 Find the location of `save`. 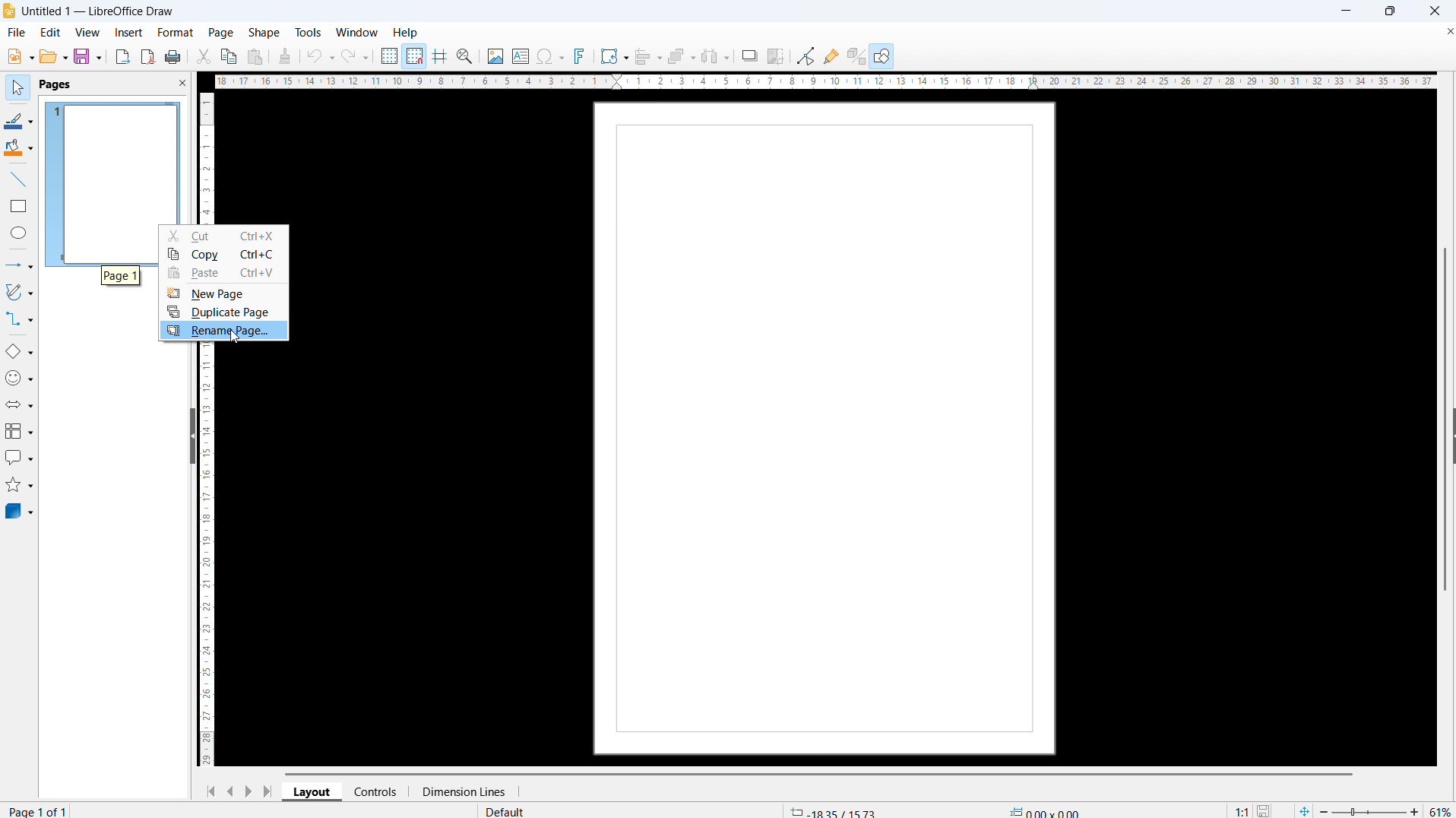

save is located at coordinates (1266, 809).